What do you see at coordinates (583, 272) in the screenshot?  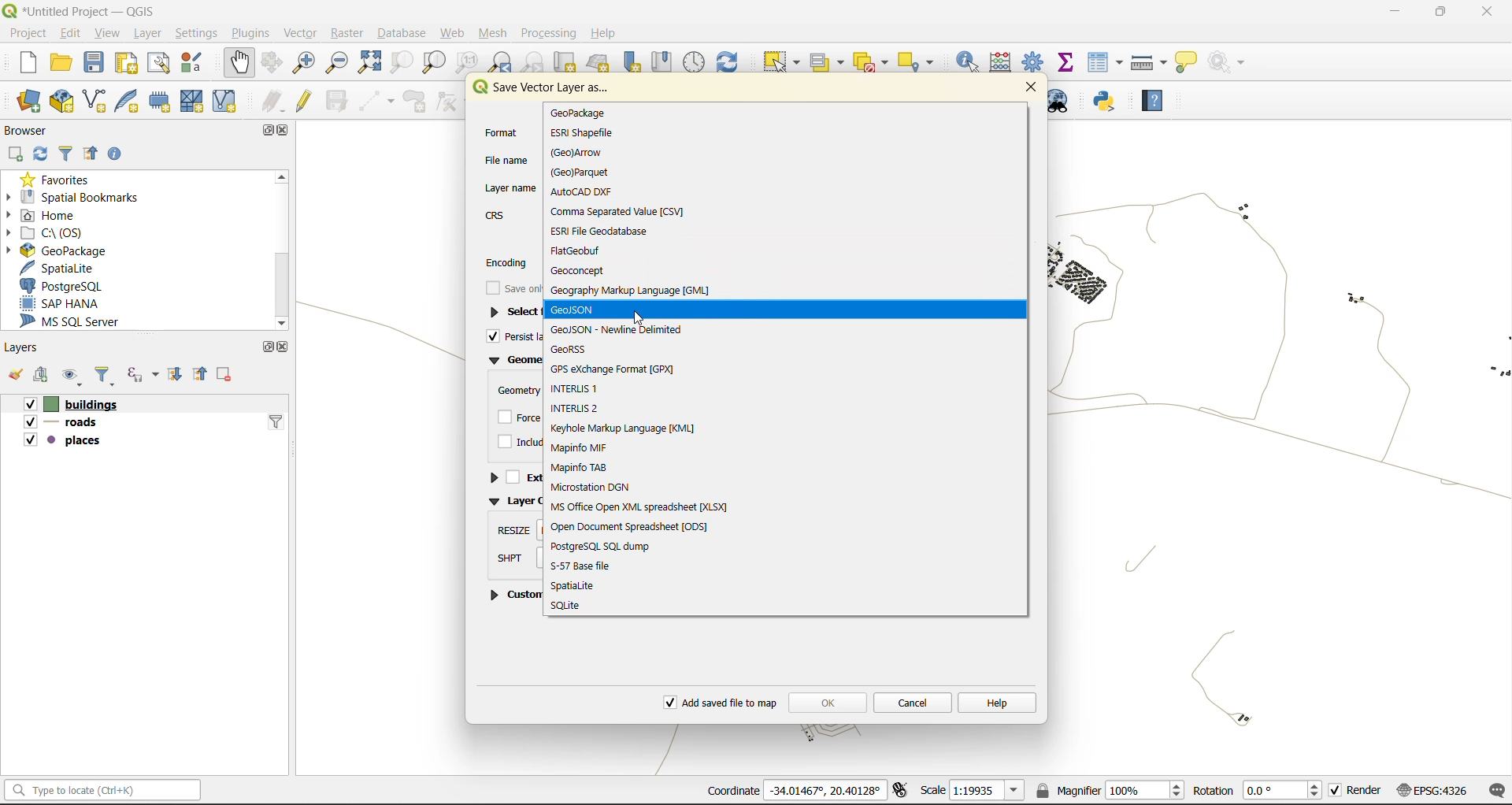 I see `geoconcept` at bounding box center [583, 272].